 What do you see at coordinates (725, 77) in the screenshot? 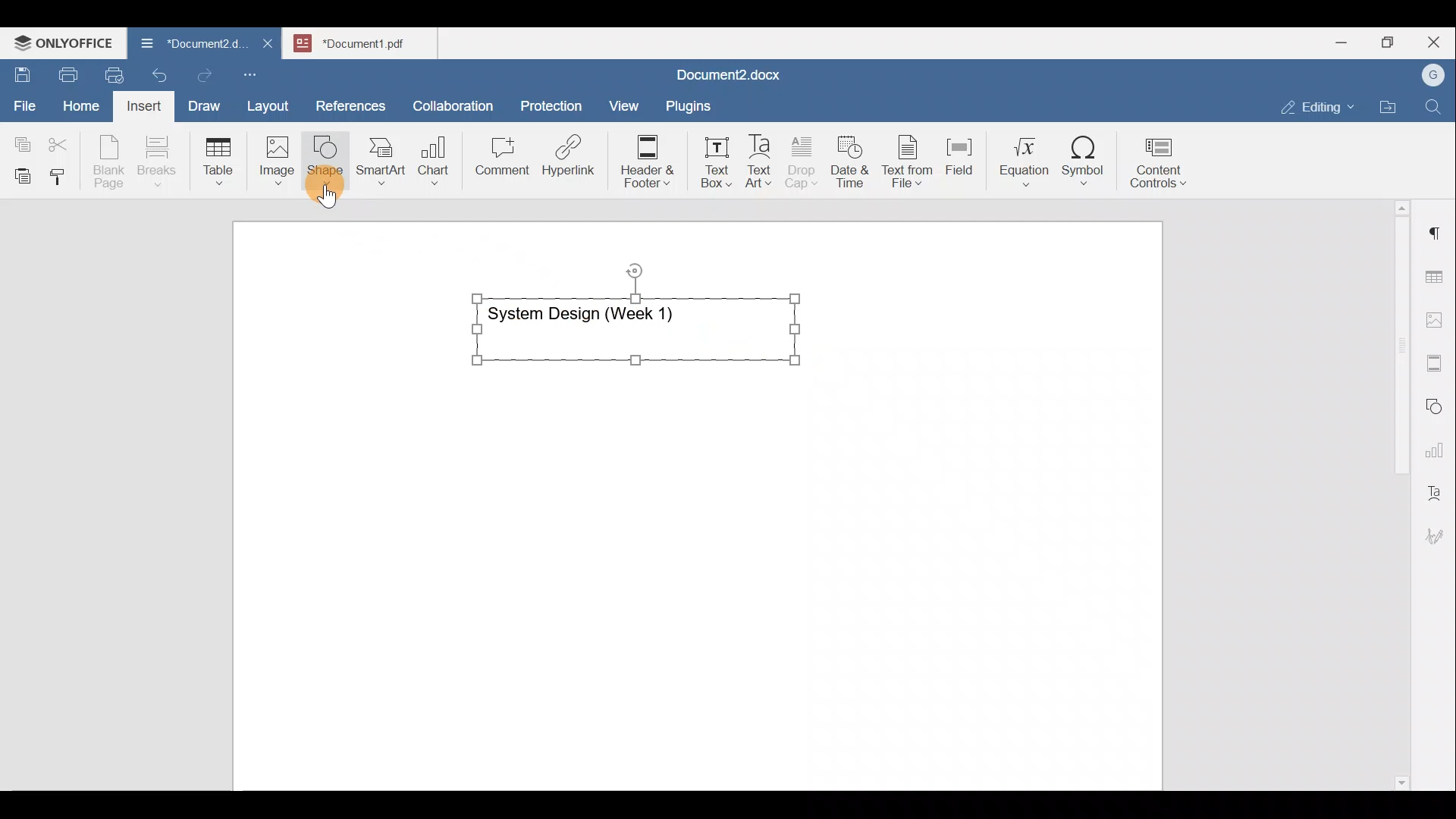
I see `Document name` at bounding box center [725, 77].